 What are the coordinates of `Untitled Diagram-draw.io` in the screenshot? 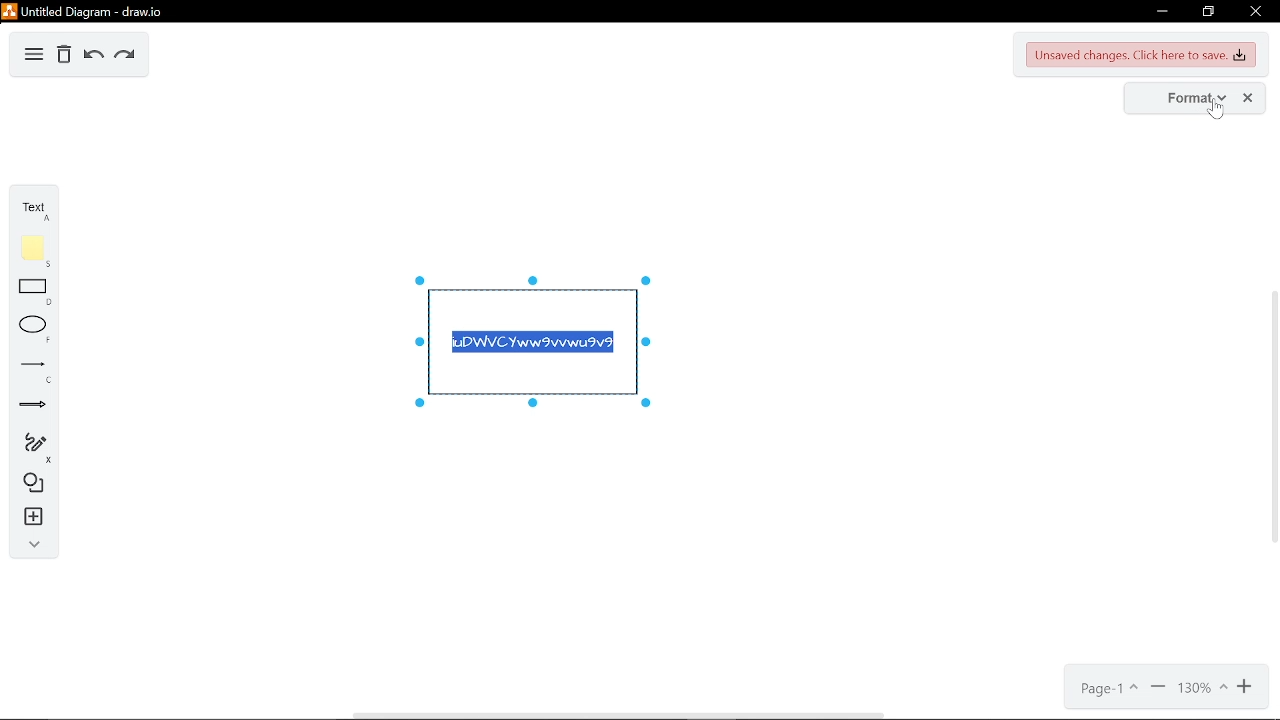 It's located at (86, 11).